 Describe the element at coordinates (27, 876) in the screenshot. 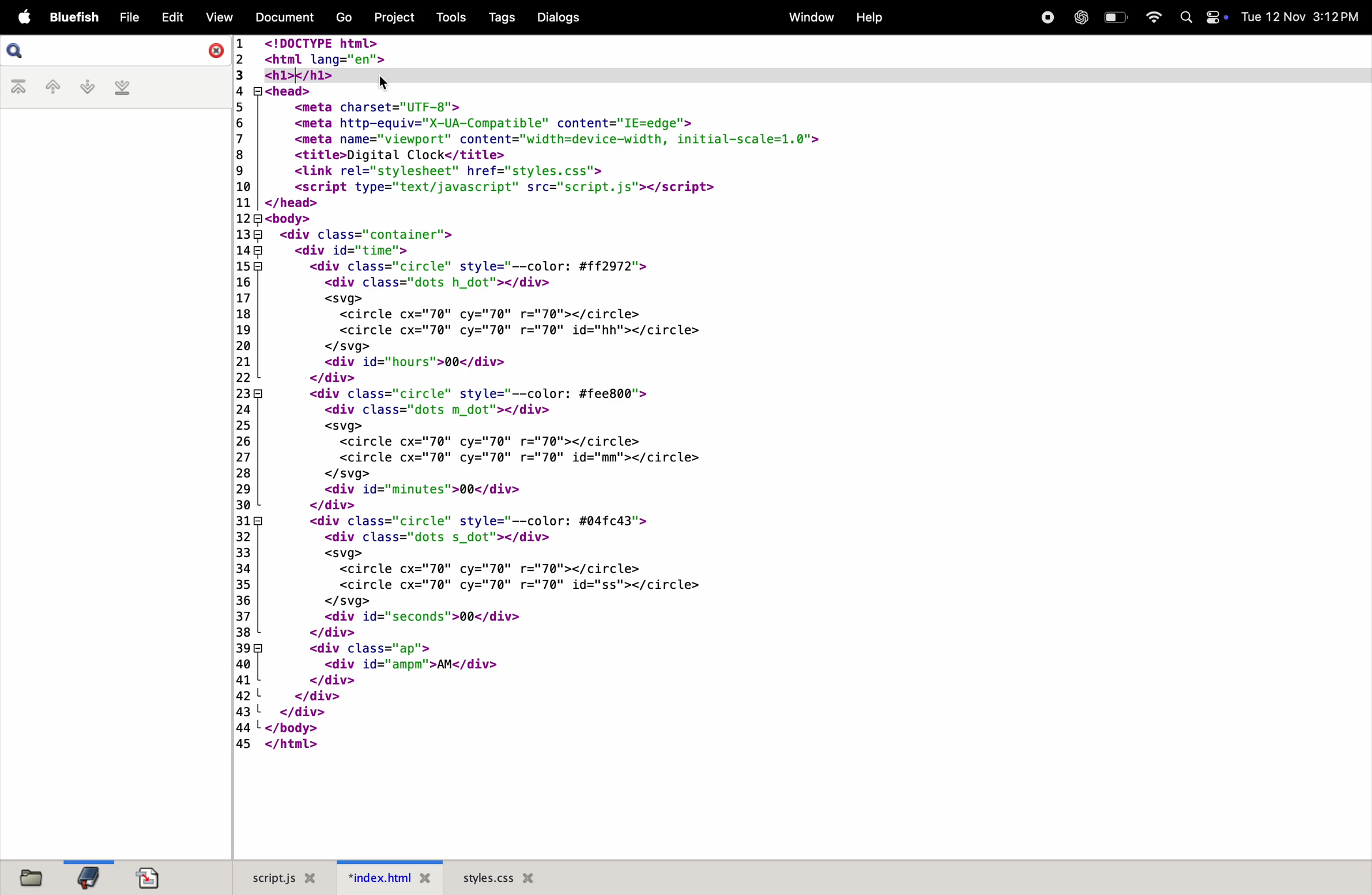

I see `new file` at that location.